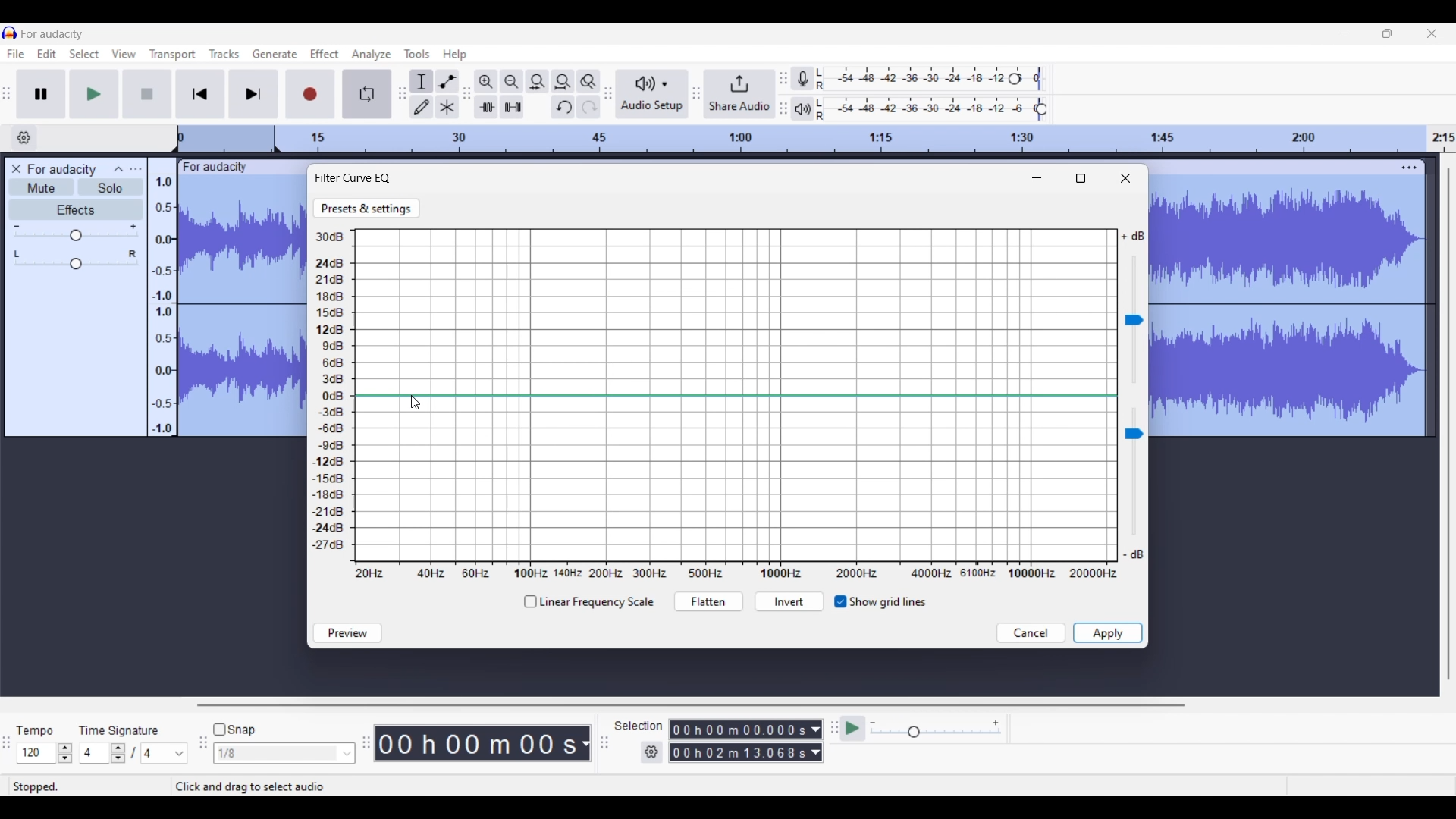 Image resolution: width=1456 pixels, height=819 pixels. I want to click on Preview sound, so click(347, 633).